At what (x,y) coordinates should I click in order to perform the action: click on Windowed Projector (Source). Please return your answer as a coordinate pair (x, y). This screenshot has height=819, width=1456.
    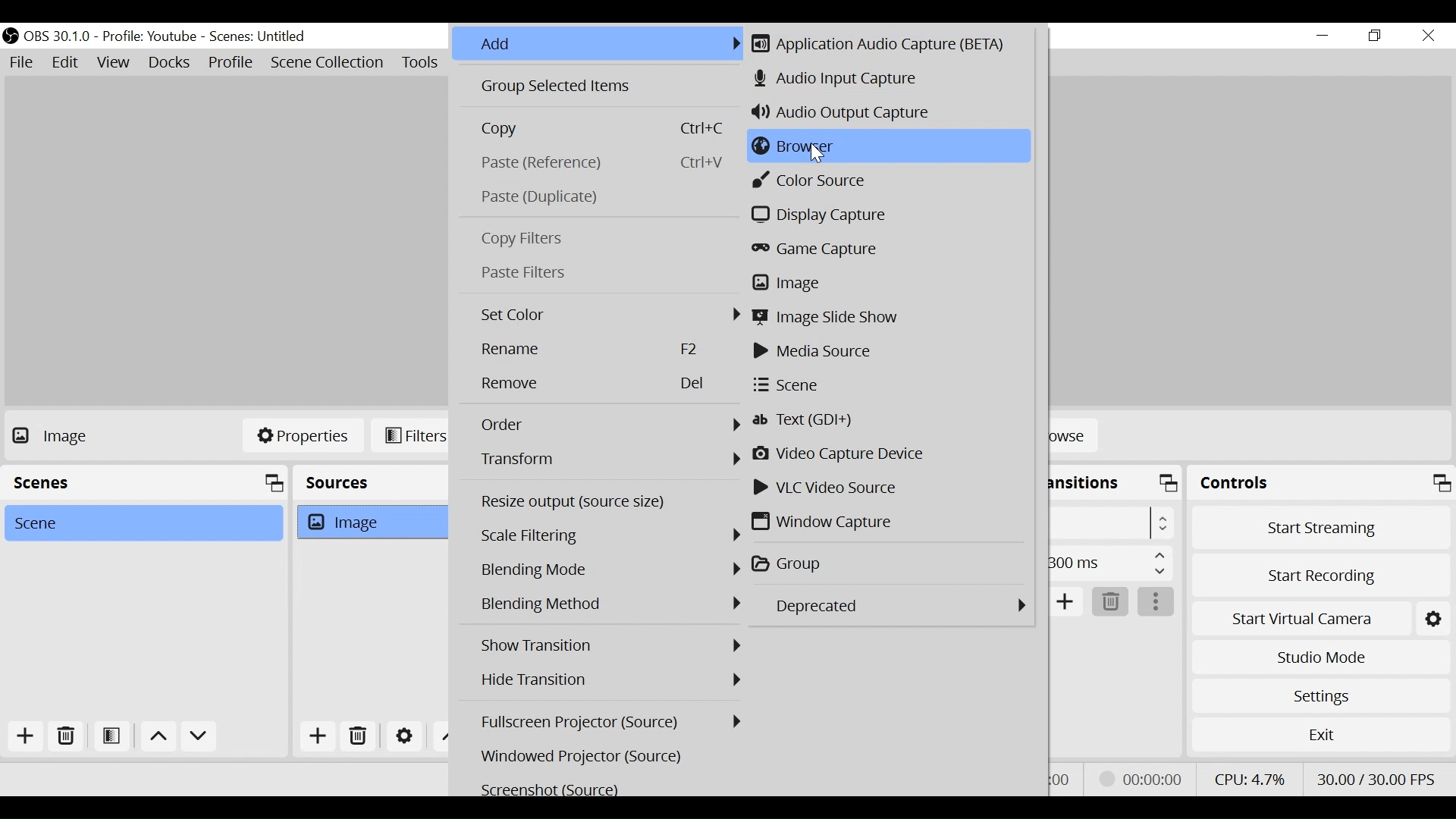
    Looking at the image, I should click on (613, 757).